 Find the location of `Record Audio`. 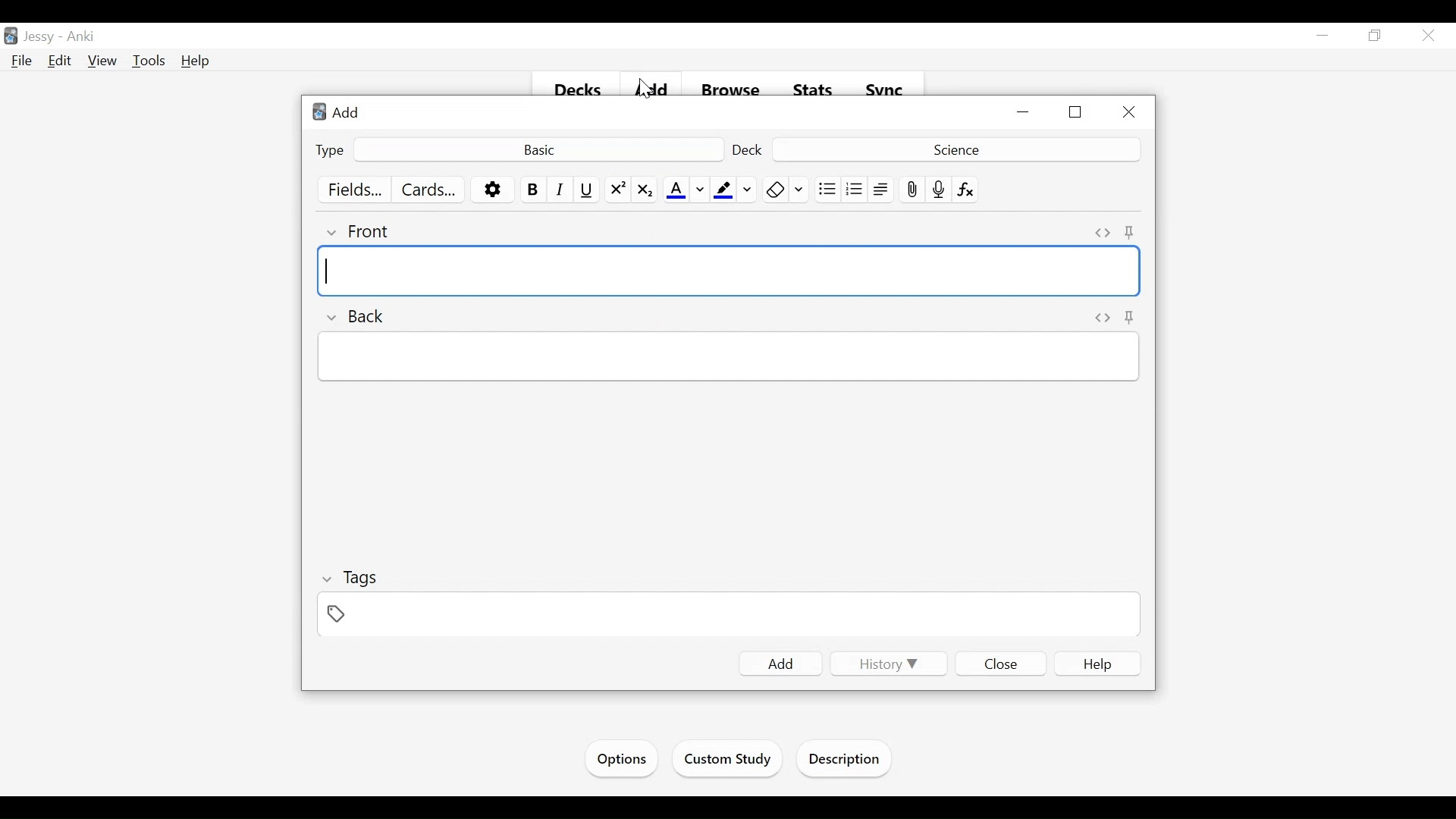

Record Audio is located at coordinates (939, 190).